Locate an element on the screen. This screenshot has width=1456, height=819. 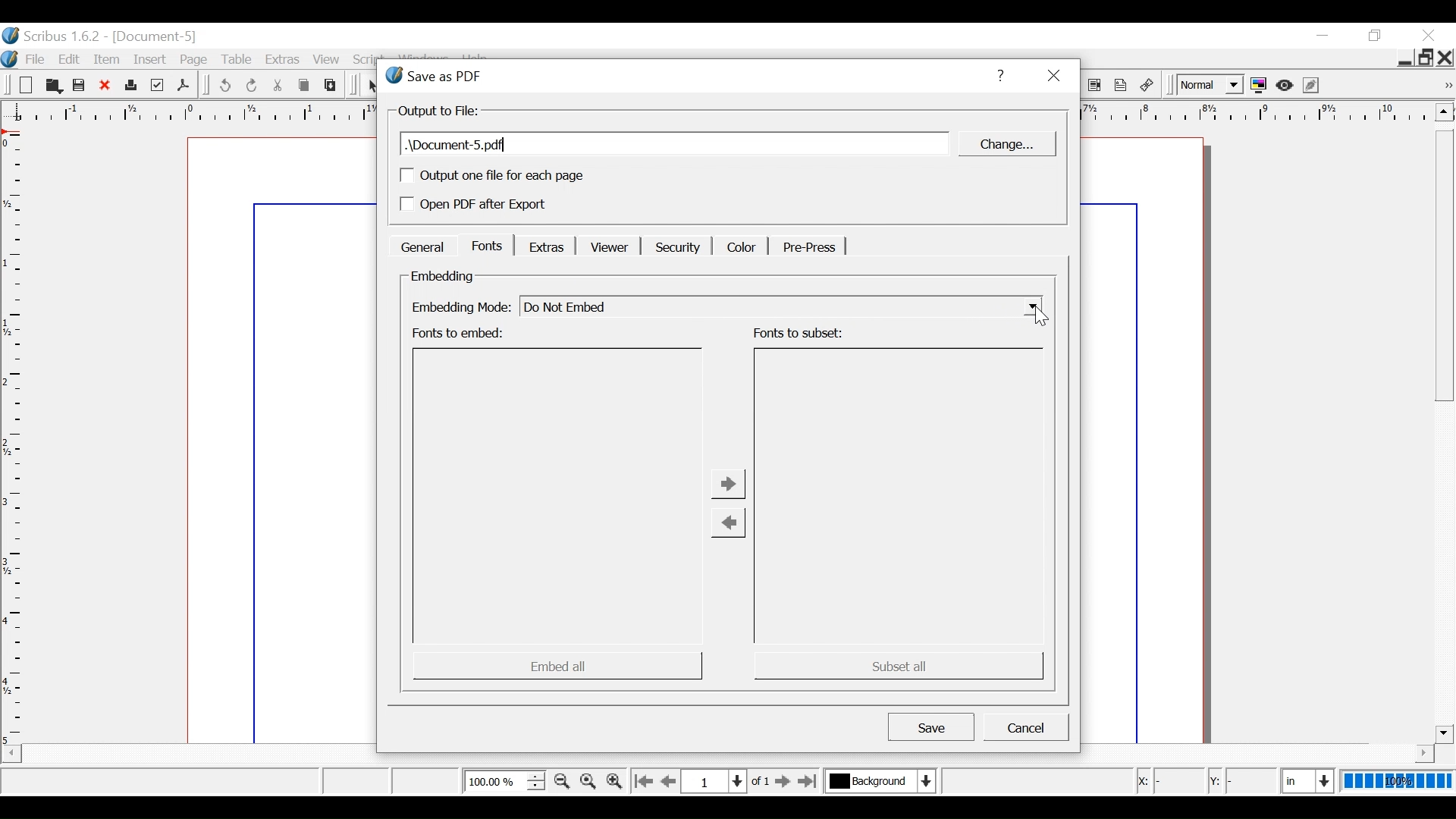
Edit in Preview mode is located at coordinates (1313, 85).